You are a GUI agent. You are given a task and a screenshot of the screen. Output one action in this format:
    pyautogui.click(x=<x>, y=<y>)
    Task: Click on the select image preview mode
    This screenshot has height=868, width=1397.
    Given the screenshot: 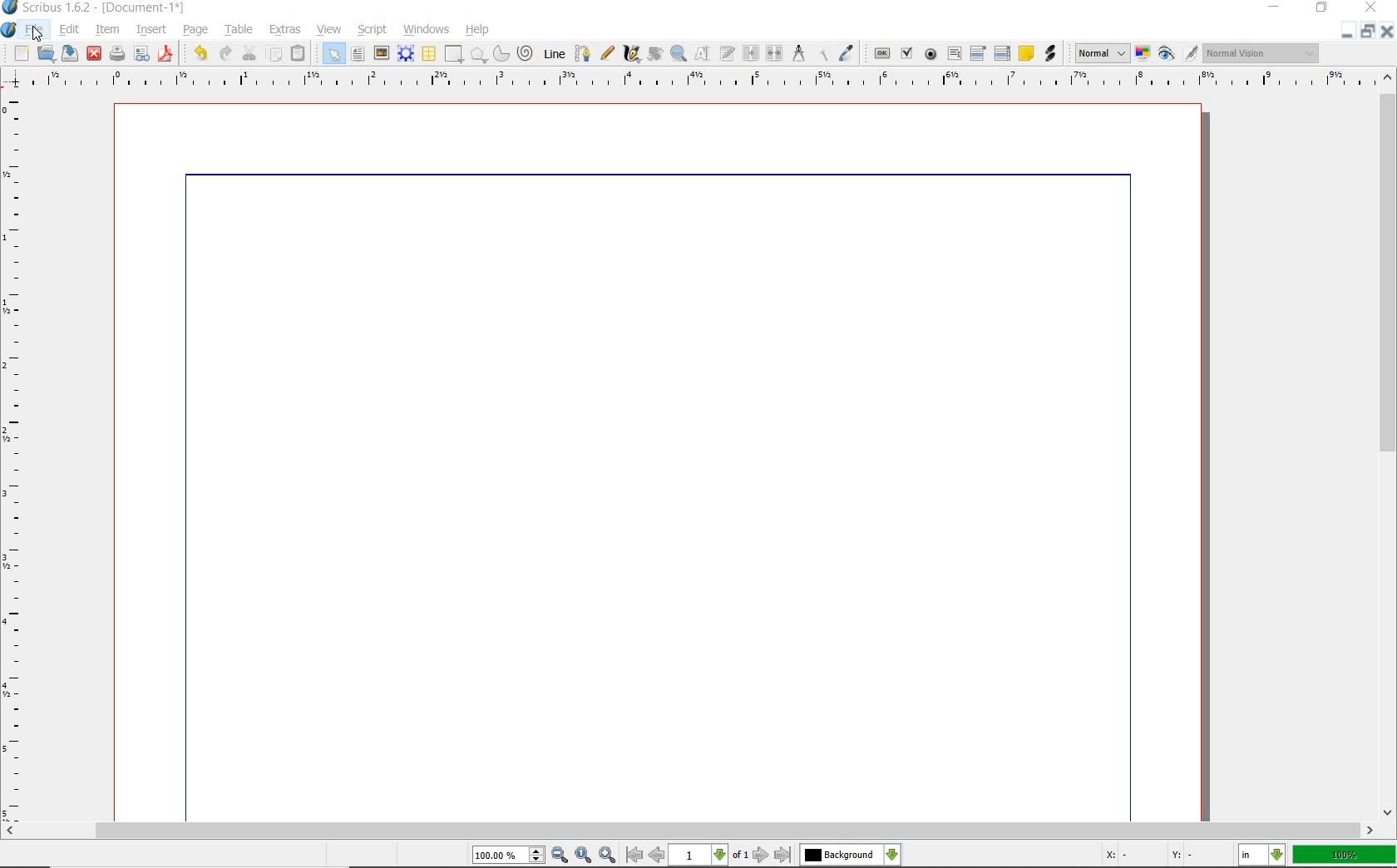 What is the action you would take?
    pyautogui.click(x=1102, y=54)
    